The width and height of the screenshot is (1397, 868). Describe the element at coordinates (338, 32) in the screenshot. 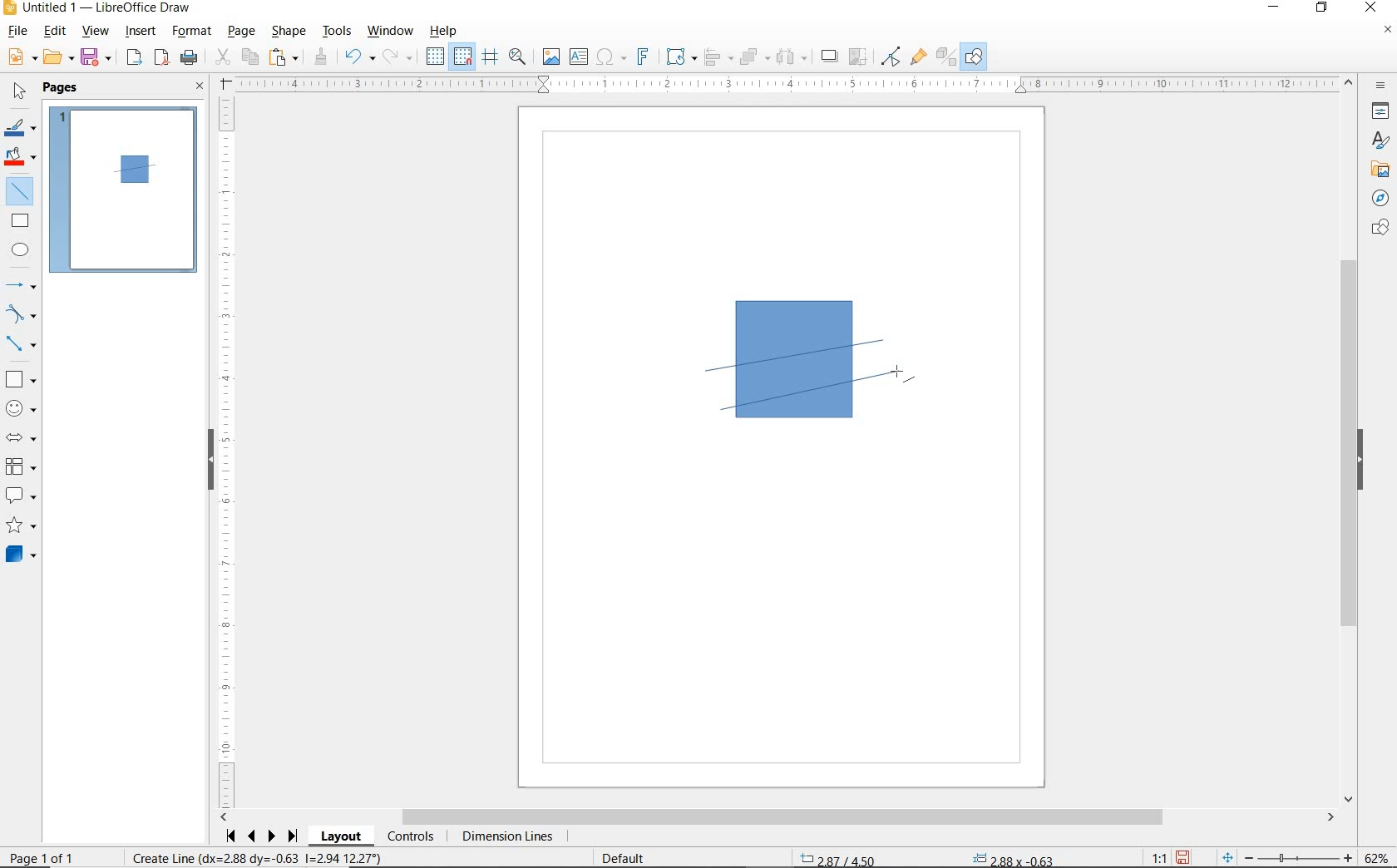

I see `TOOLS` at that location.